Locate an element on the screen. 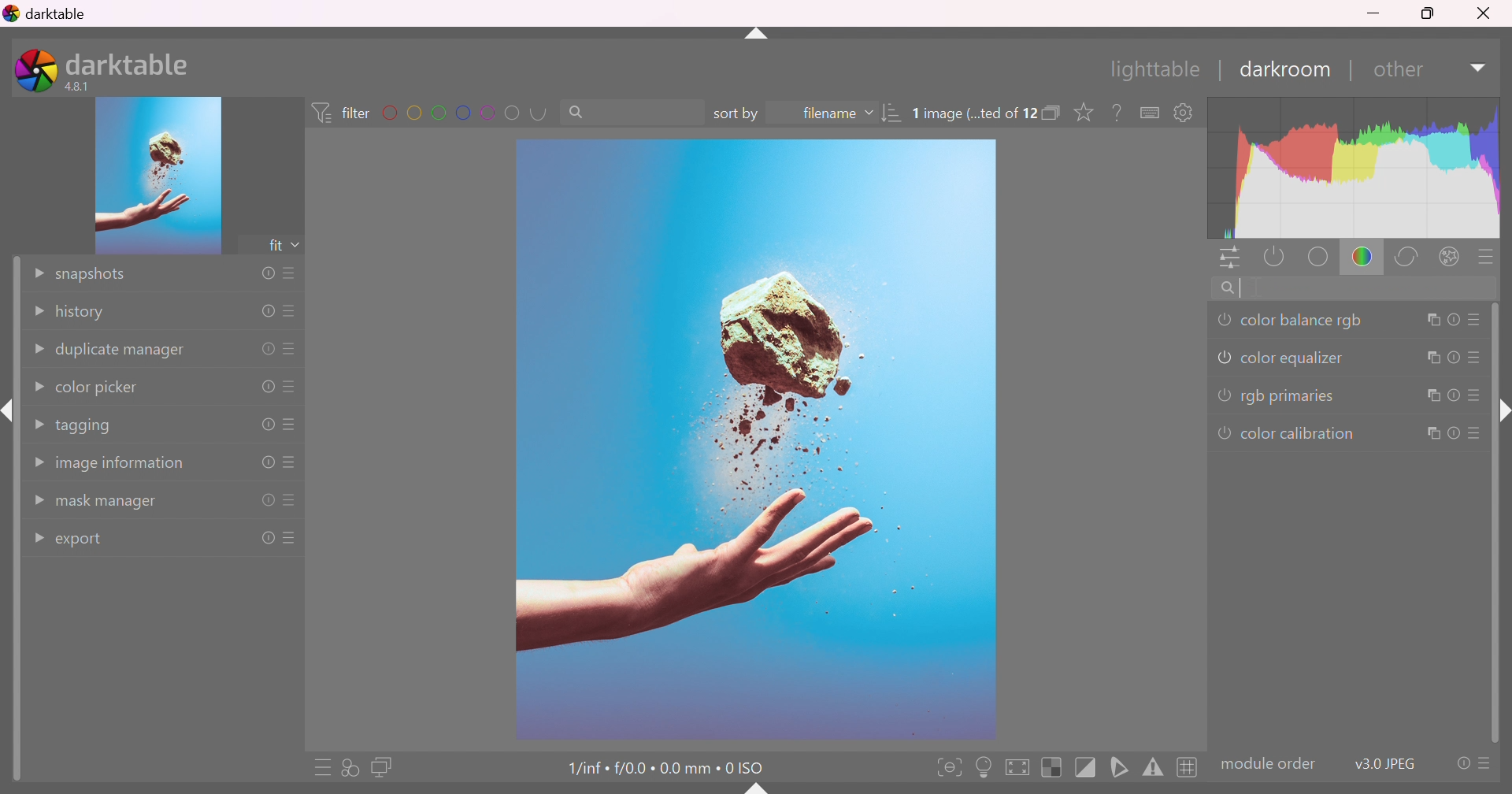 The height and width of the screenshot is (794, 1512). tagging is located at coordinates (87, 429).